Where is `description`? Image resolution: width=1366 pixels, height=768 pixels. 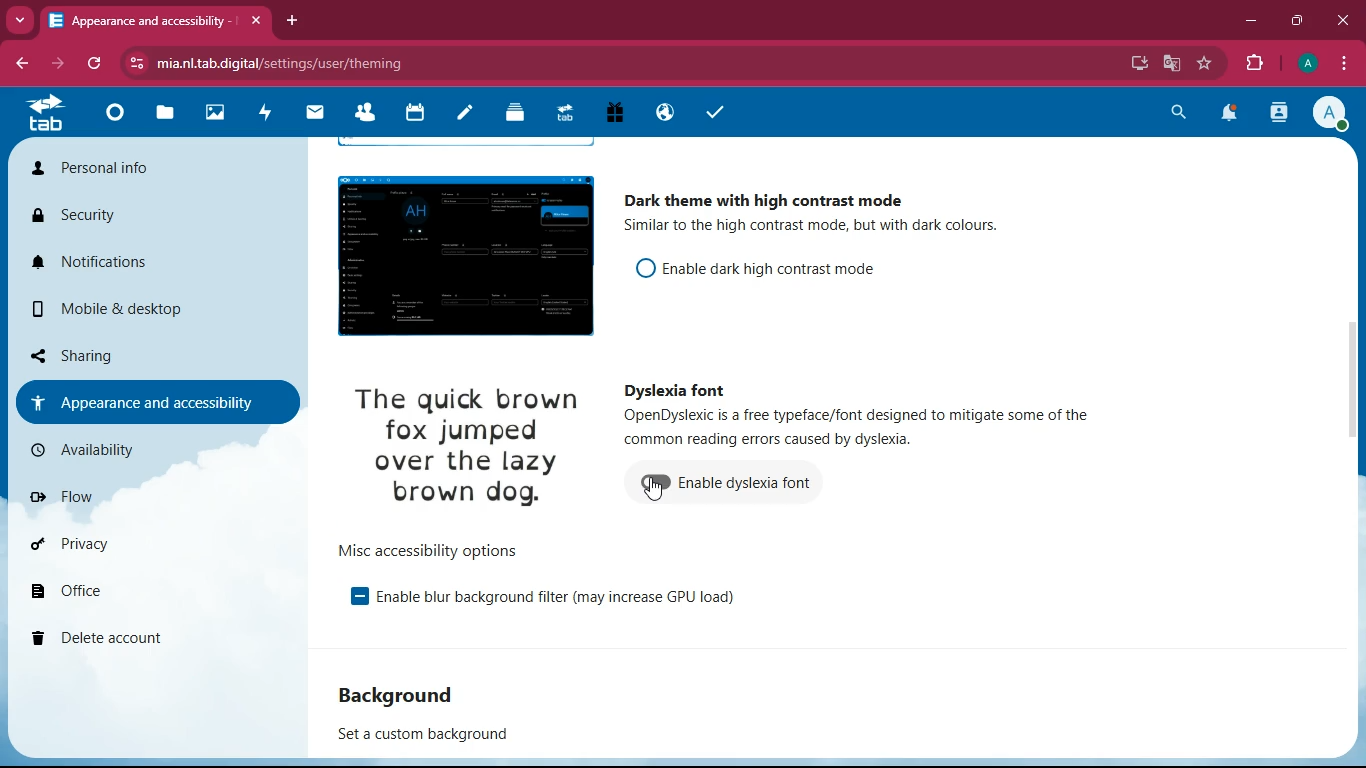
description is located at coordinates (820, 228).